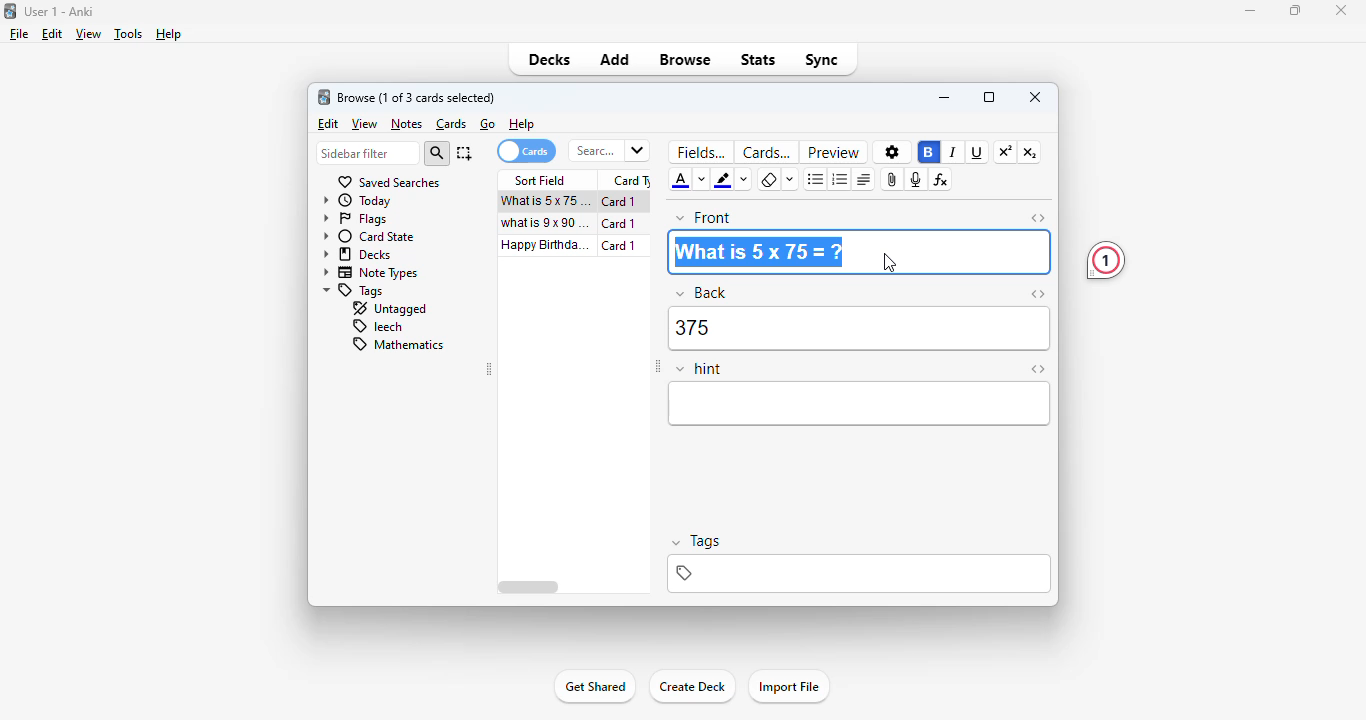 This screenshot has width=1366, height=720. What do you see at coordinates (890, 151) in the screenshot?
I see `options` at bounding box center [890, 151].